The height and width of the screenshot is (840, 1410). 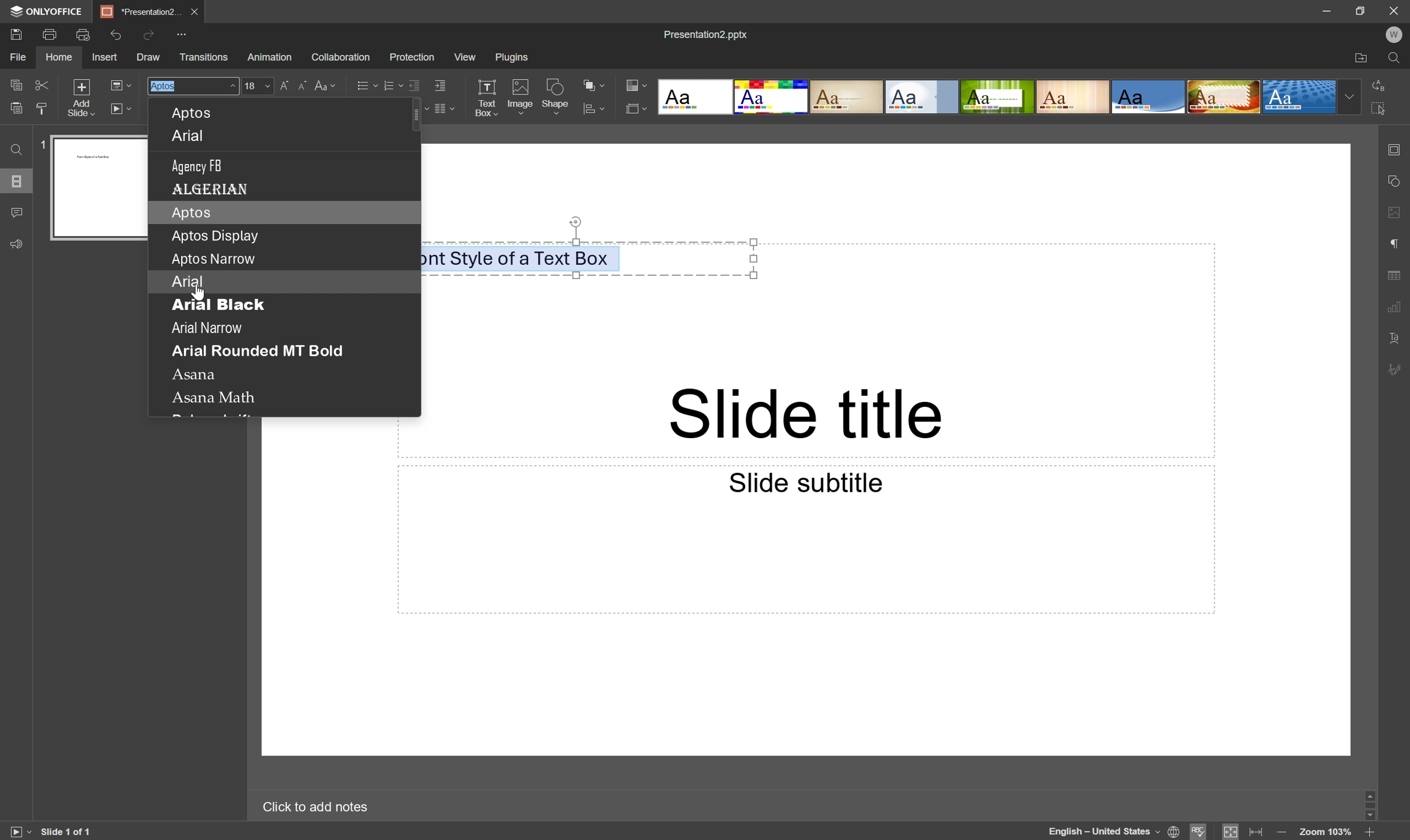 What do you see at coordinates (1328, 833) in the screenshot?
I see `Zoom 103%` at bounding box center [1328, 833].